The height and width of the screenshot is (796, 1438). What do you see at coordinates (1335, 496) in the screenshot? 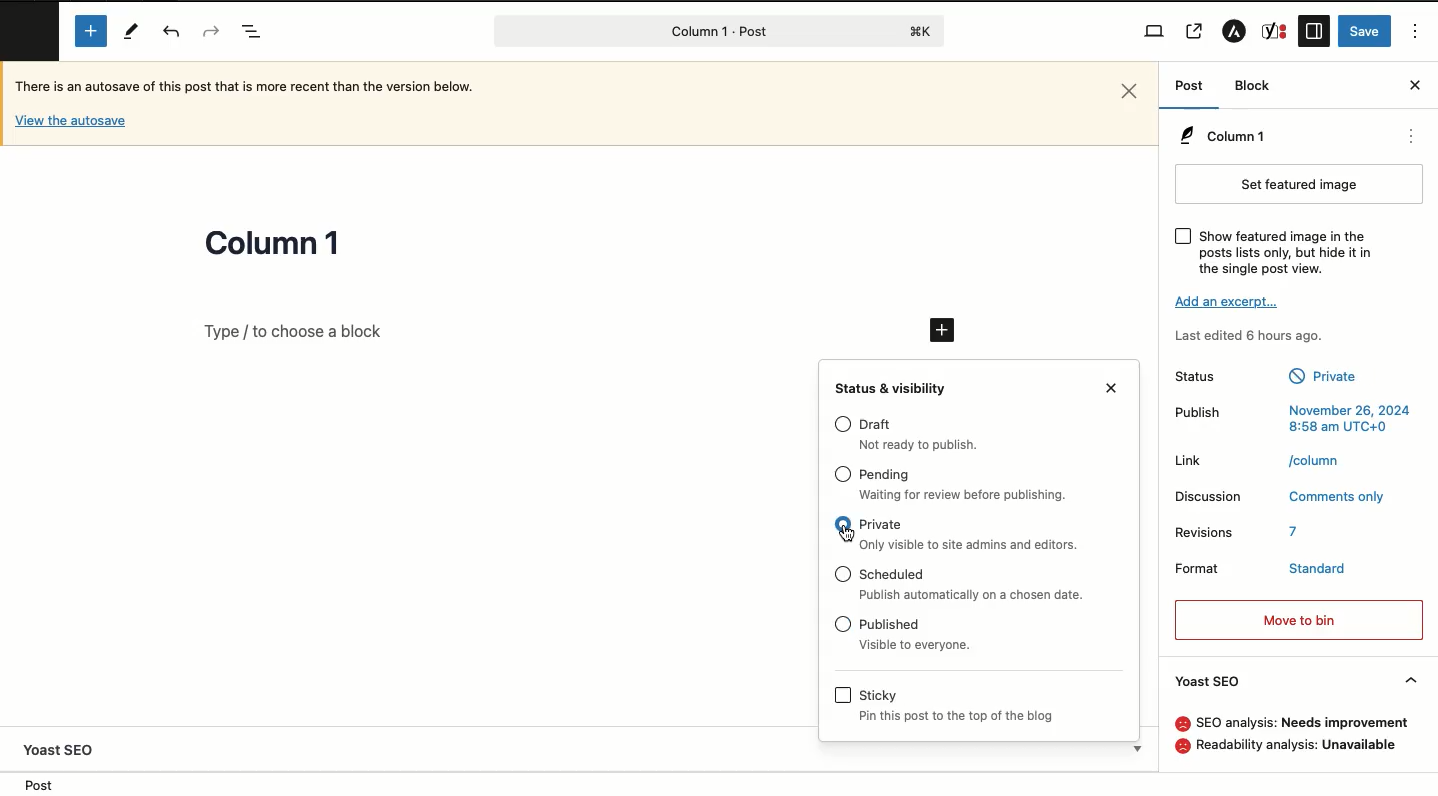
I see `Comments only` at bounding box center [1335, 496].